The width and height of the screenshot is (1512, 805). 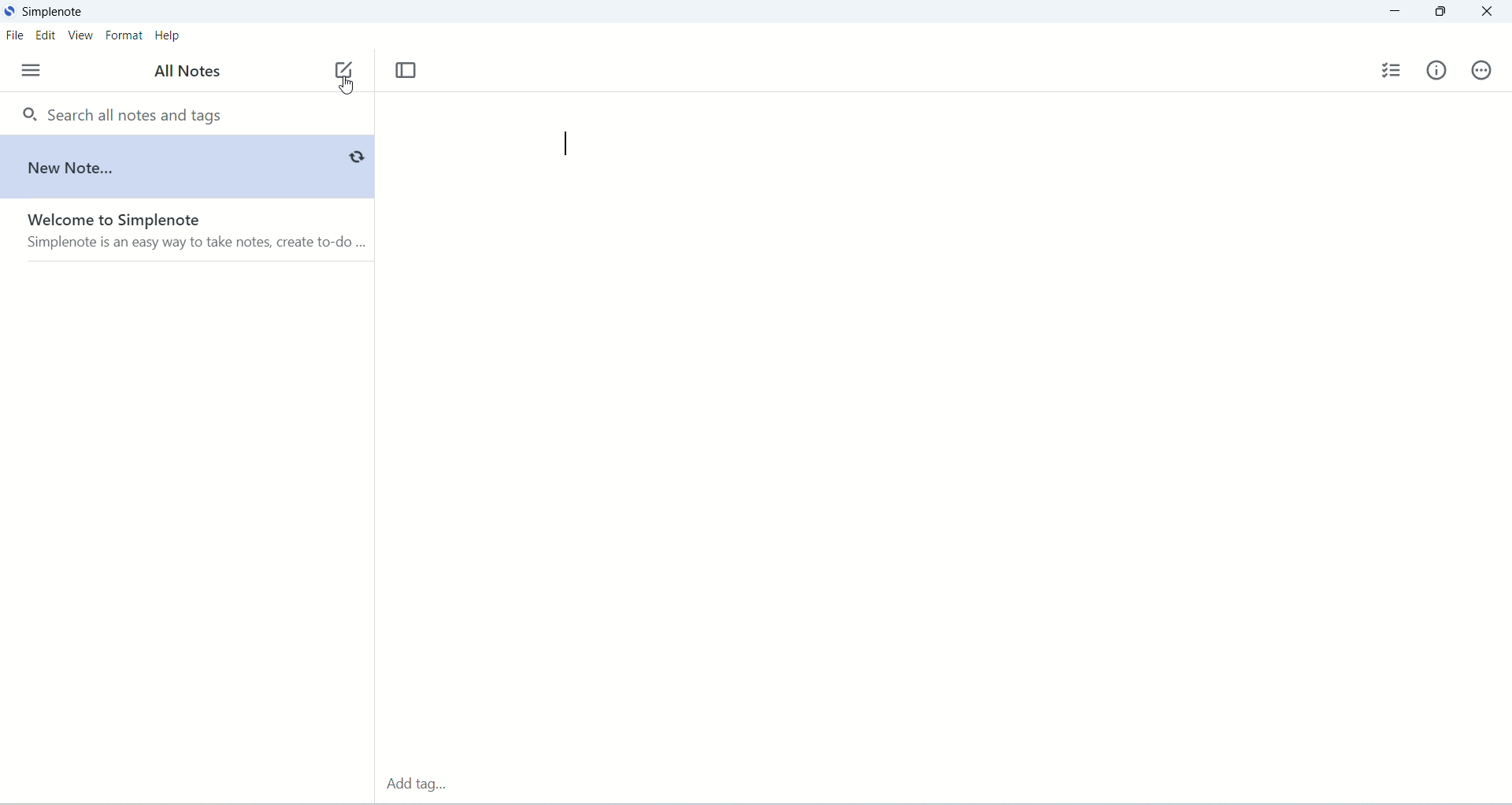 What do you see at coordinates (82, 35) in the screenshot?
I see `view` at bounding box center [82, 35].